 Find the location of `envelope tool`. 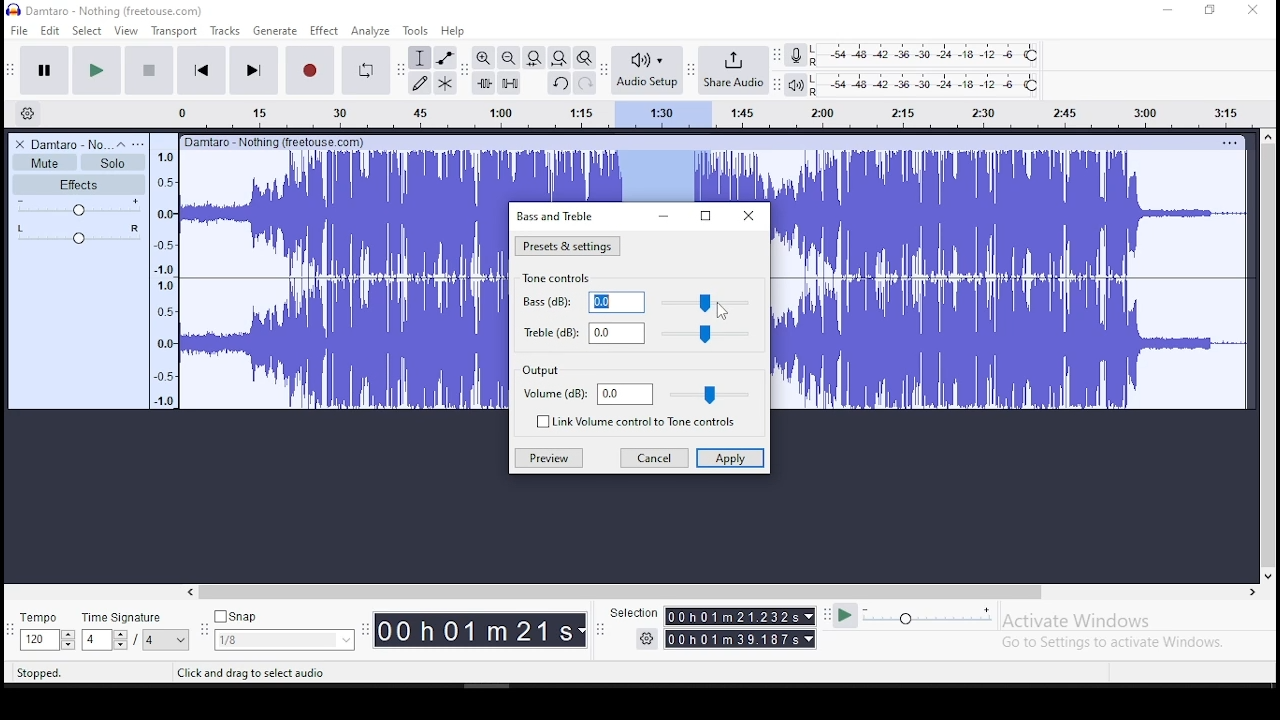

envelope tool is located at coordinates (444, 57).